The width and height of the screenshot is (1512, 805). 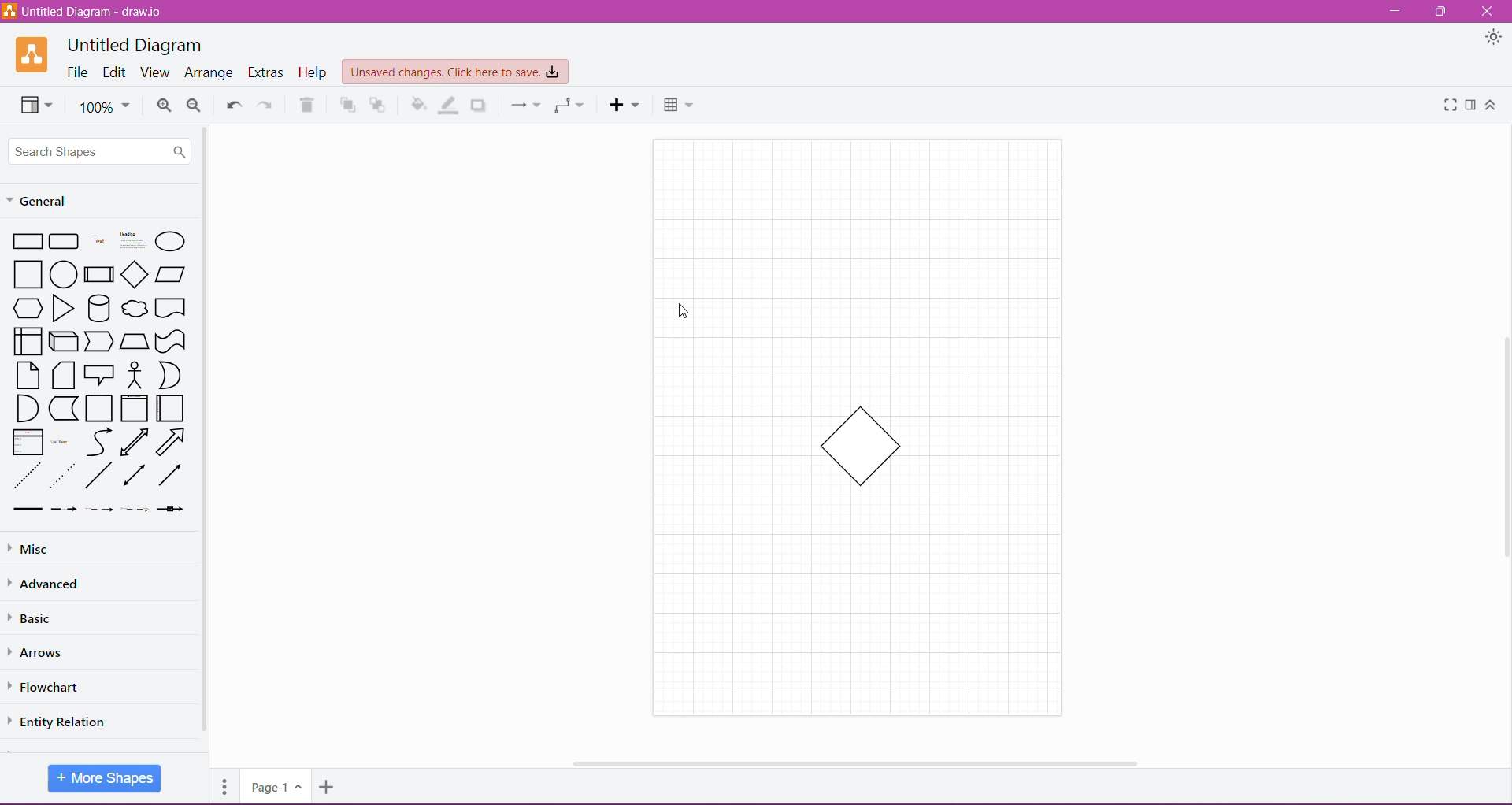 I want to click on Appearance, so click(x=1494, y=38).